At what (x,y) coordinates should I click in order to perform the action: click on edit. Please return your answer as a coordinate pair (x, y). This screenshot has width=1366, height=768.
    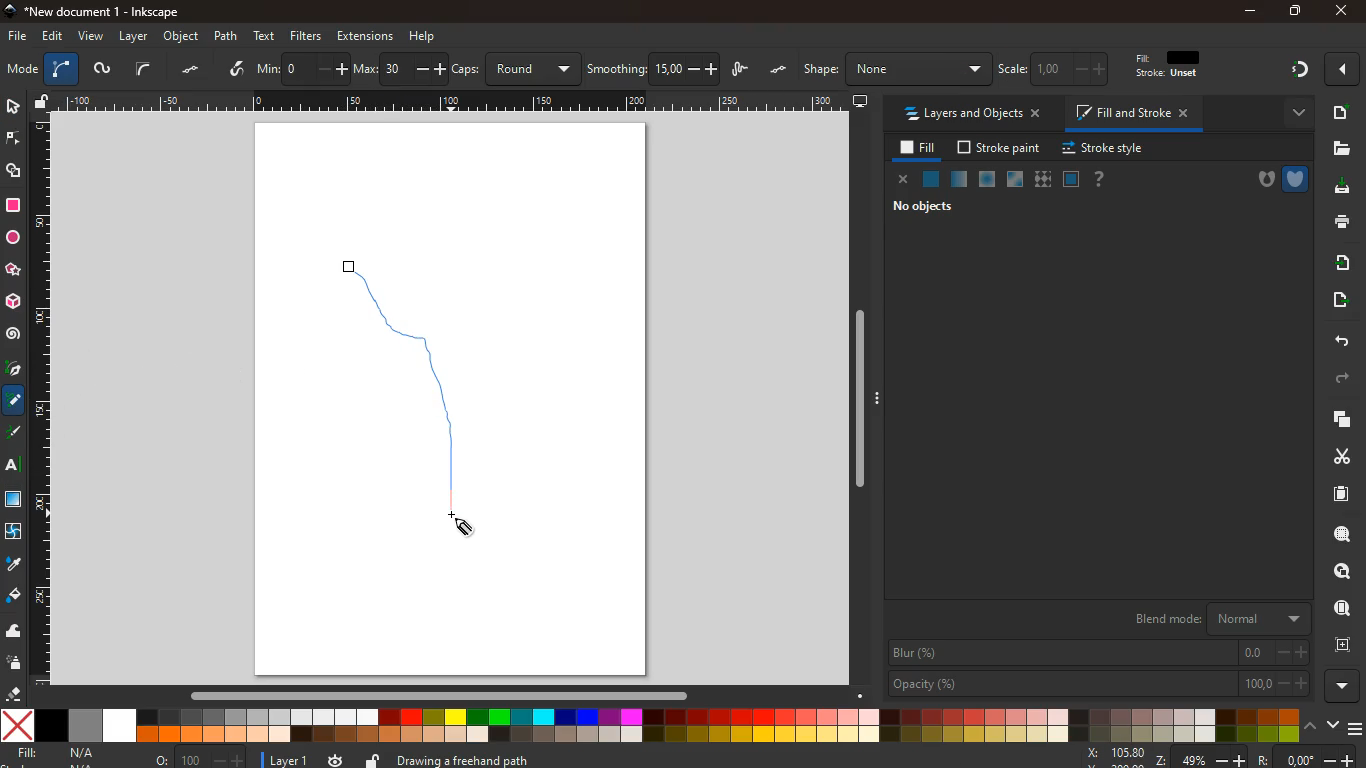
    Looking at the image, I should click on (1163, 69).